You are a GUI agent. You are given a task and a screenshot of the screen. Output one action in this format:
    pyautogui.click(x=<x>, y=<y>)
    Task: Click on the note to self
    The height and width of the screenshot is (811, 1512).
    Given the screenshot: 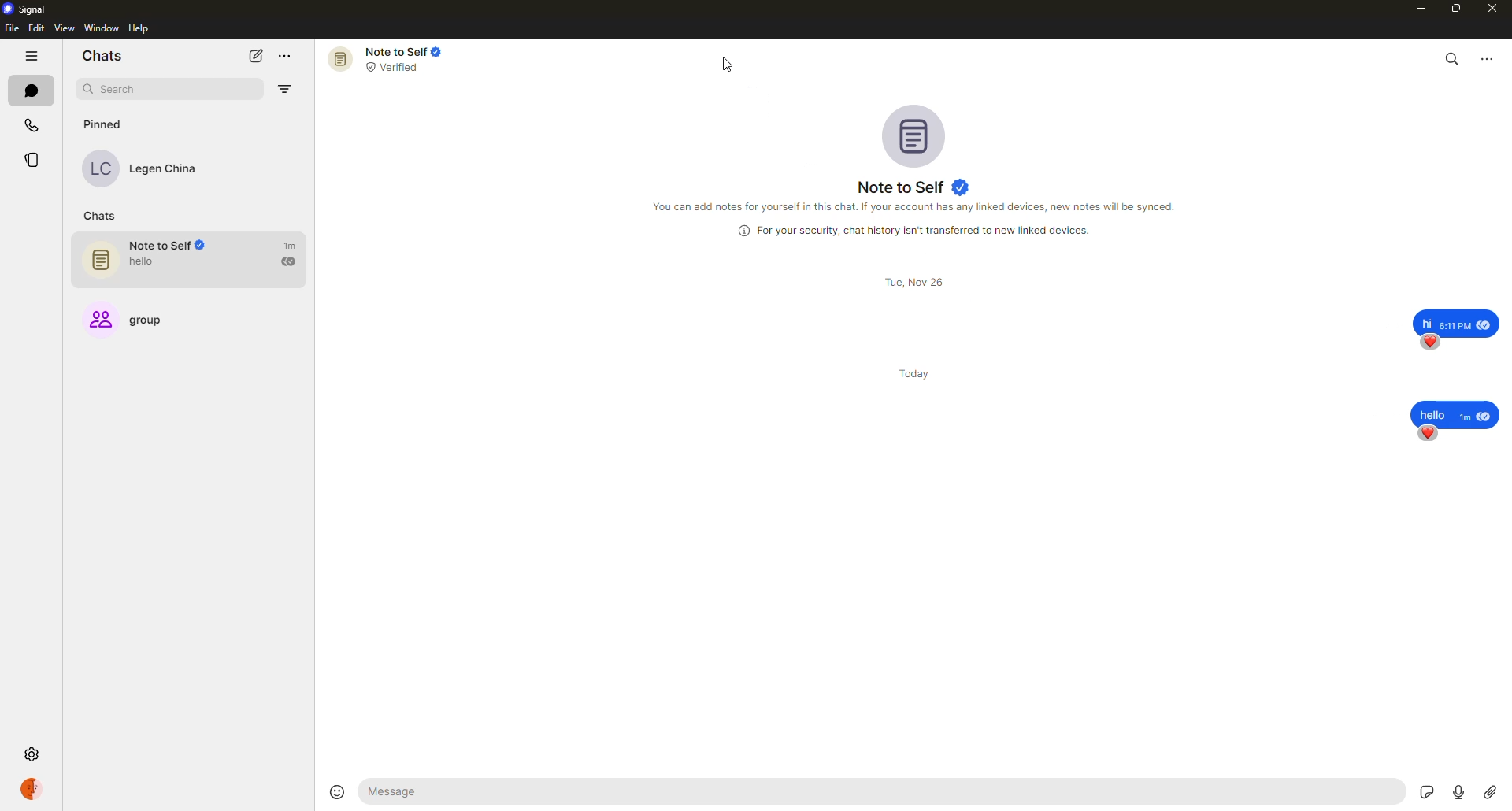 What is the action you would take?
    pyautogui.click(x=917, y=187)
    